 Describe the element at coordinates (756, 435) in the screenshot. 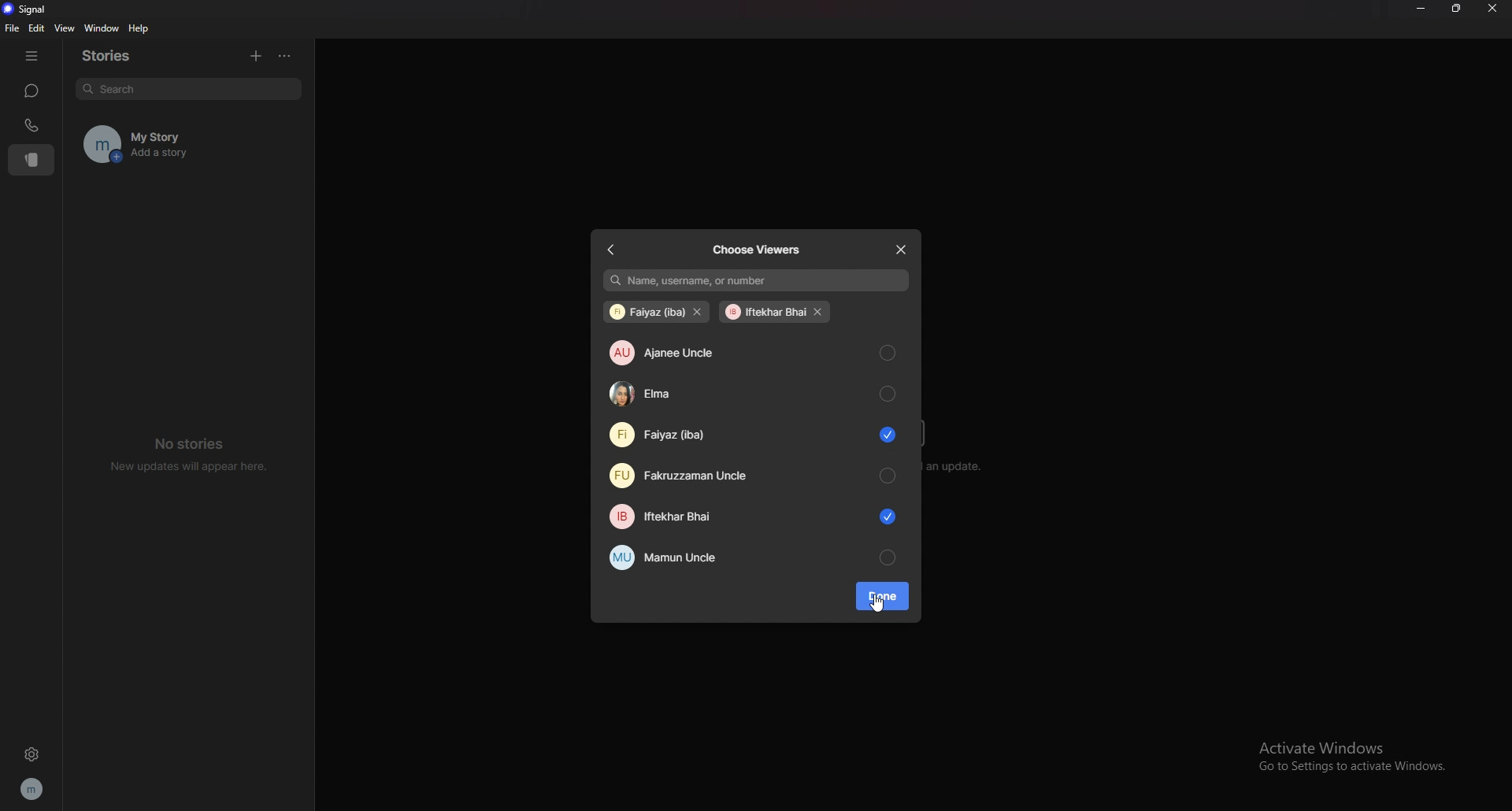

I see `Faiyaz (iba)` at that location.